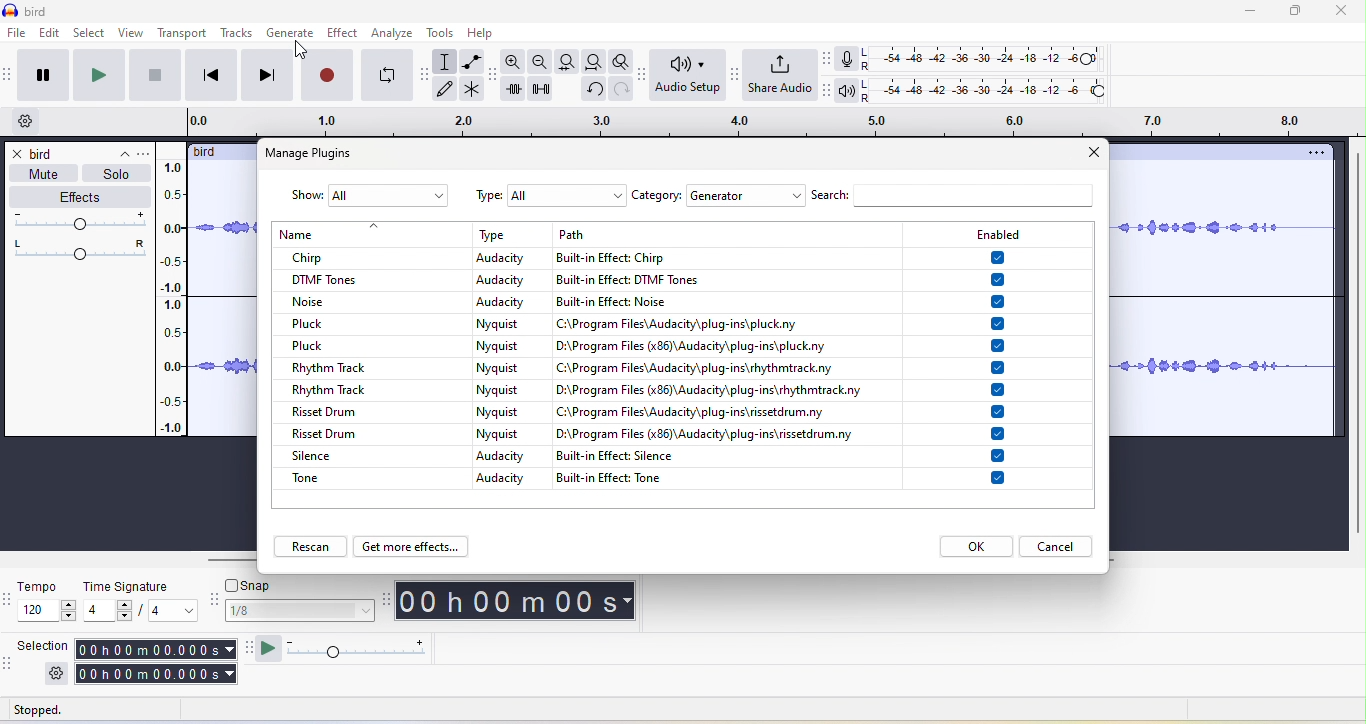 The width and height of the screenshot is (1366, 724). Describe the element at coordinates (331, 387) in the screenshot. I see `rhythm track` at that location.